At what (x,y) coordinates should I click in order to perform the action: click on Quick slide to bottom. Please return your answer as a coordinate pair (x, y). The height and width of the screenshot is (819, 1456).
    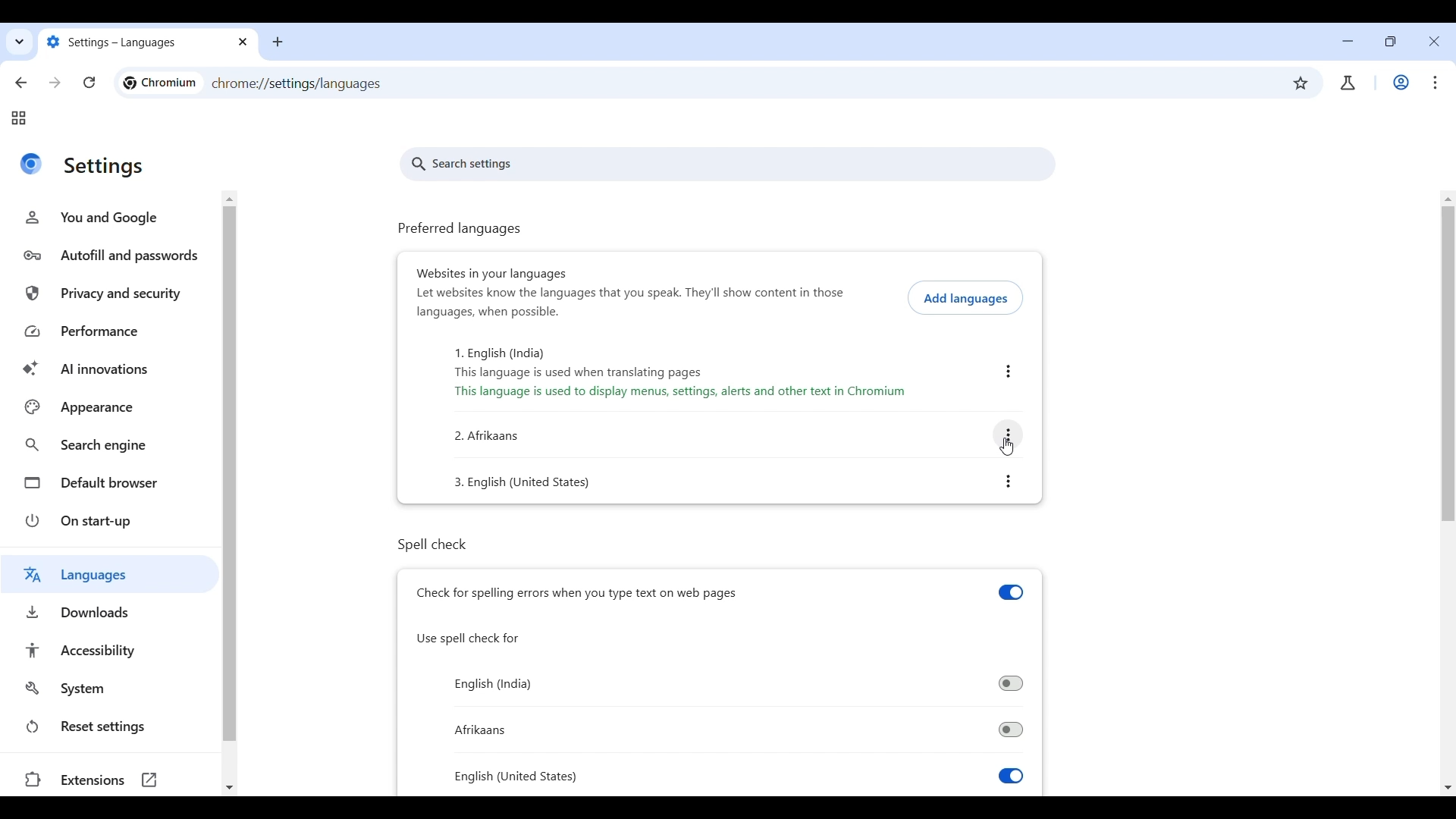
    Looking at the image, I should click on (1448, 788).